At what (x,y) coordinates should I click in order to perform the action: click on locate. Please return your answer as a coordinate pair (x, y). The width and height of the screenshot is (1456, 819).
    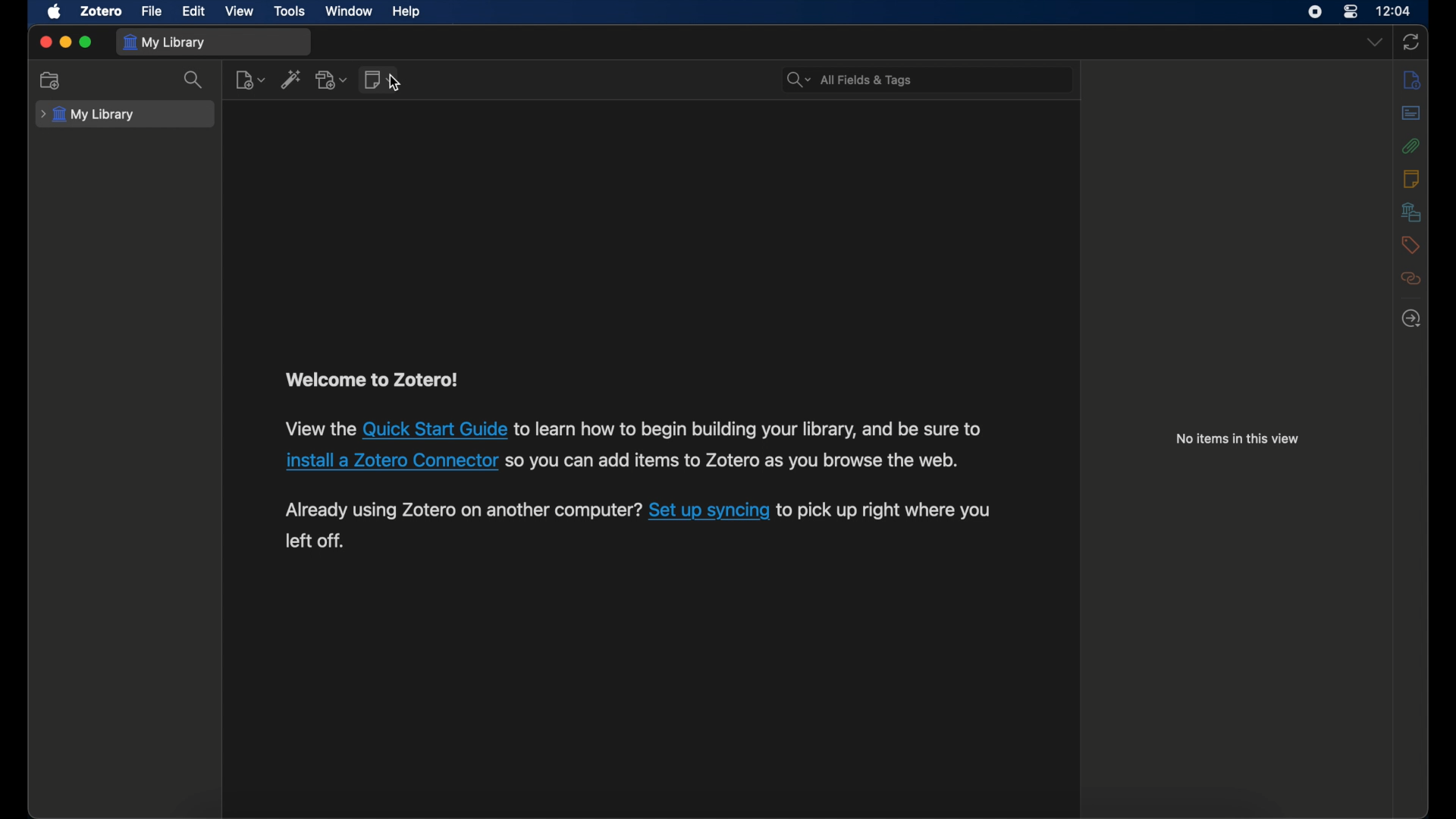
    Looking at the image, I should click on (1411, 318).